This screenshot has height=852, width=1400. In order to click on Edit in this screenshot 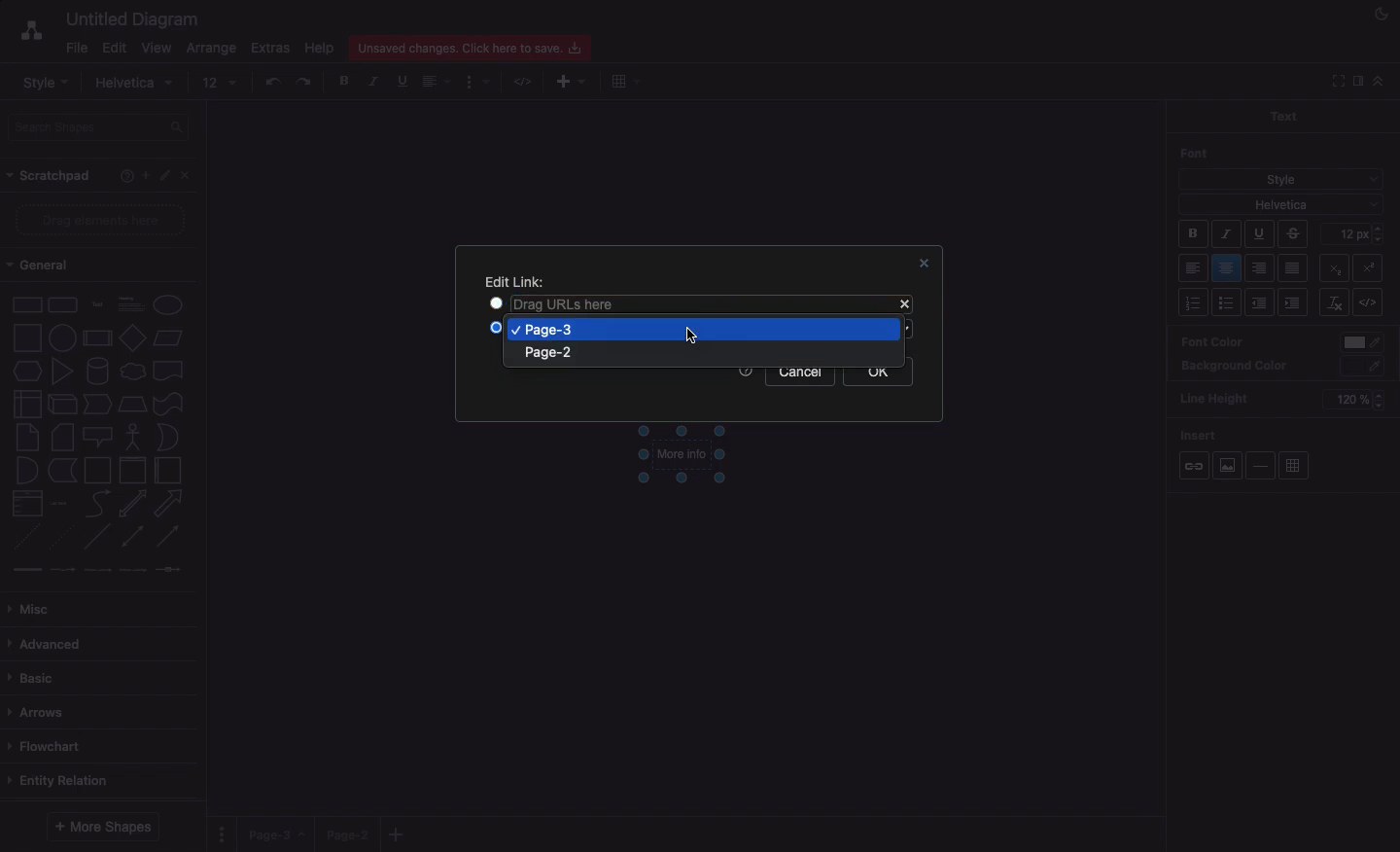, I will do `click(114, 49)`.